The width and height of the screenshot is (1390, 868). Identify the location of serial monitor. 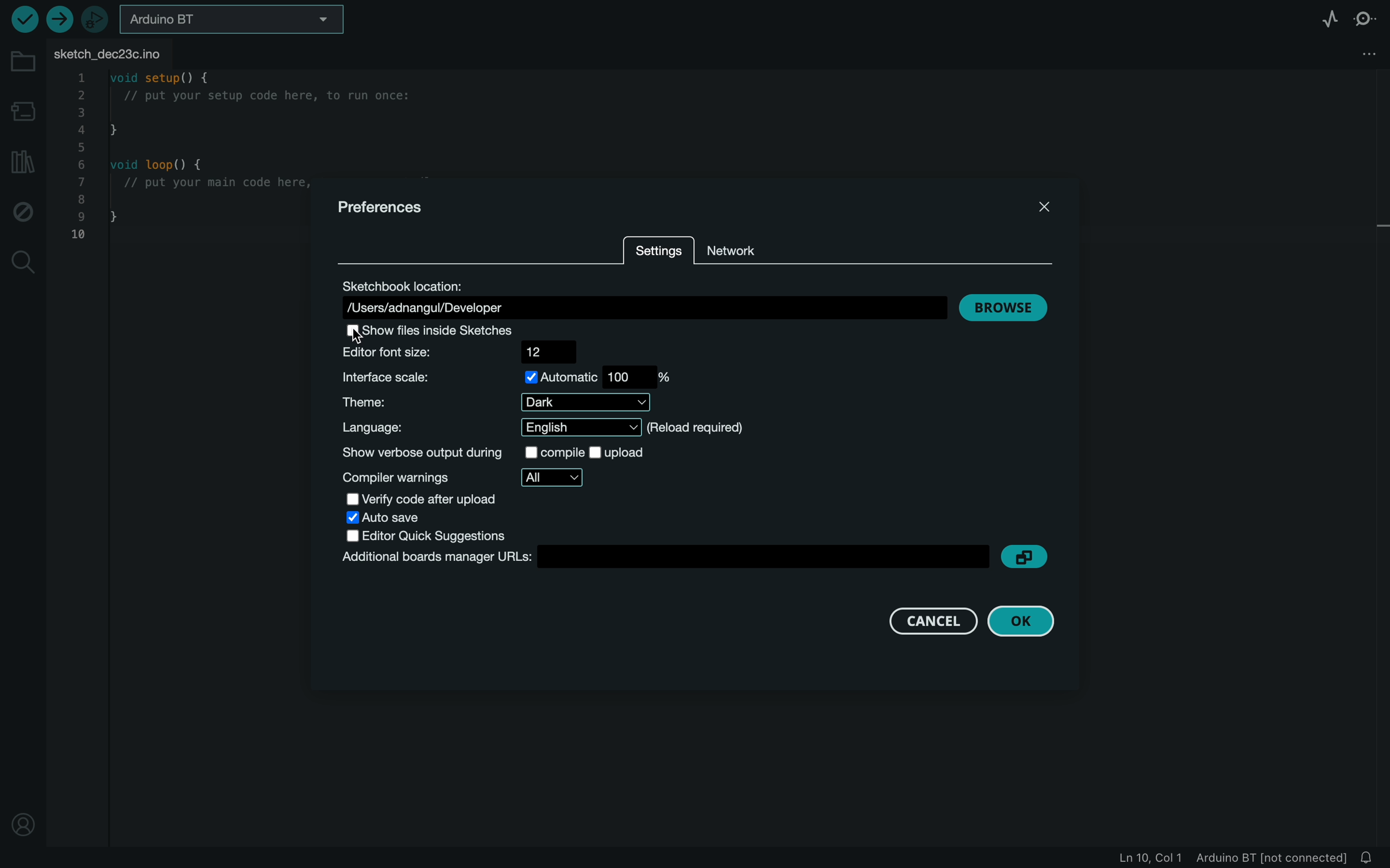
(1371, 17).